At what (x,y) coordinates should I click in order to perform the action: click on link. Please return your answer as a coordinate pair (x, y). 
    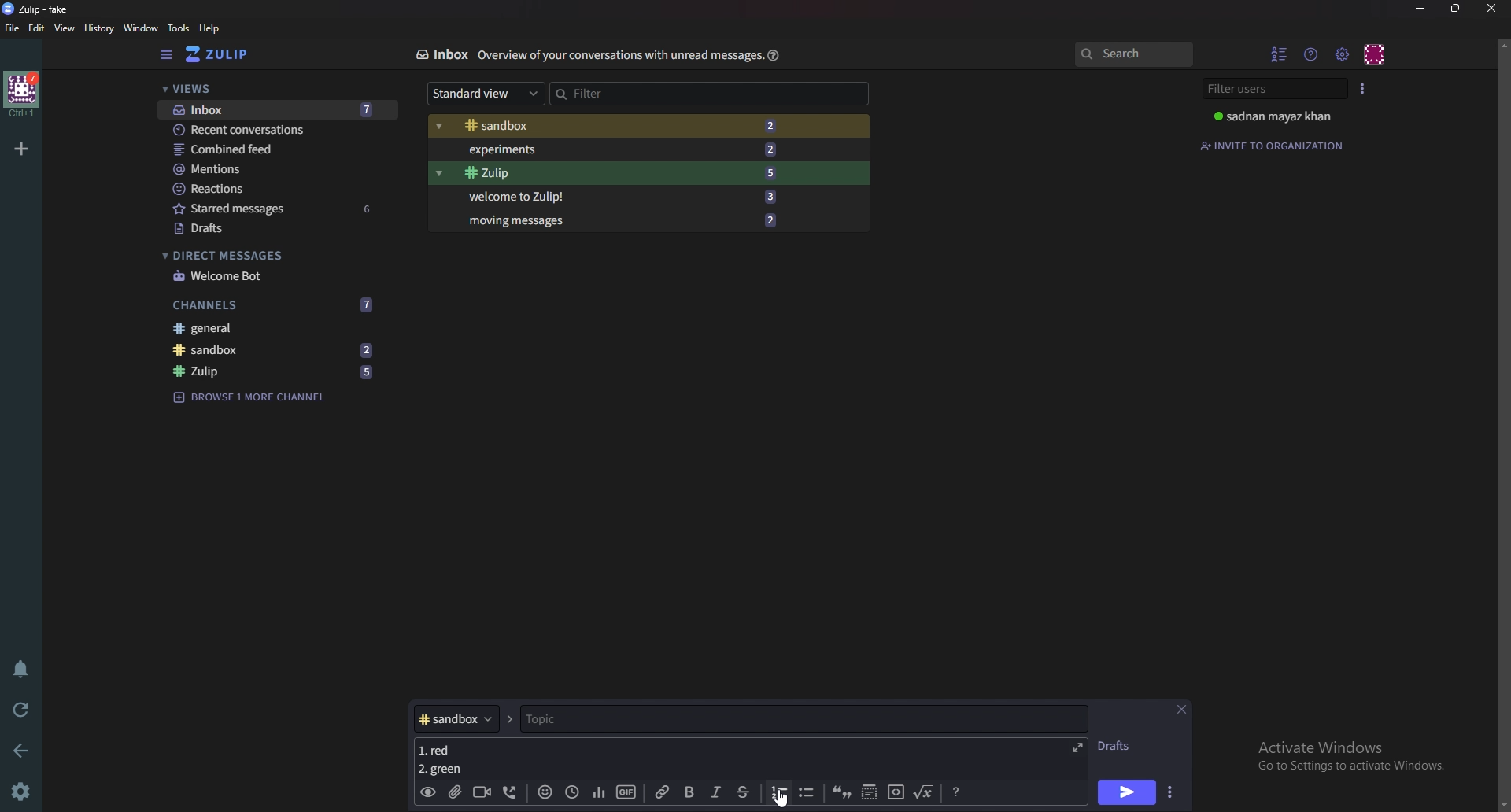
    Looking at the image, I should click on (663, 792).